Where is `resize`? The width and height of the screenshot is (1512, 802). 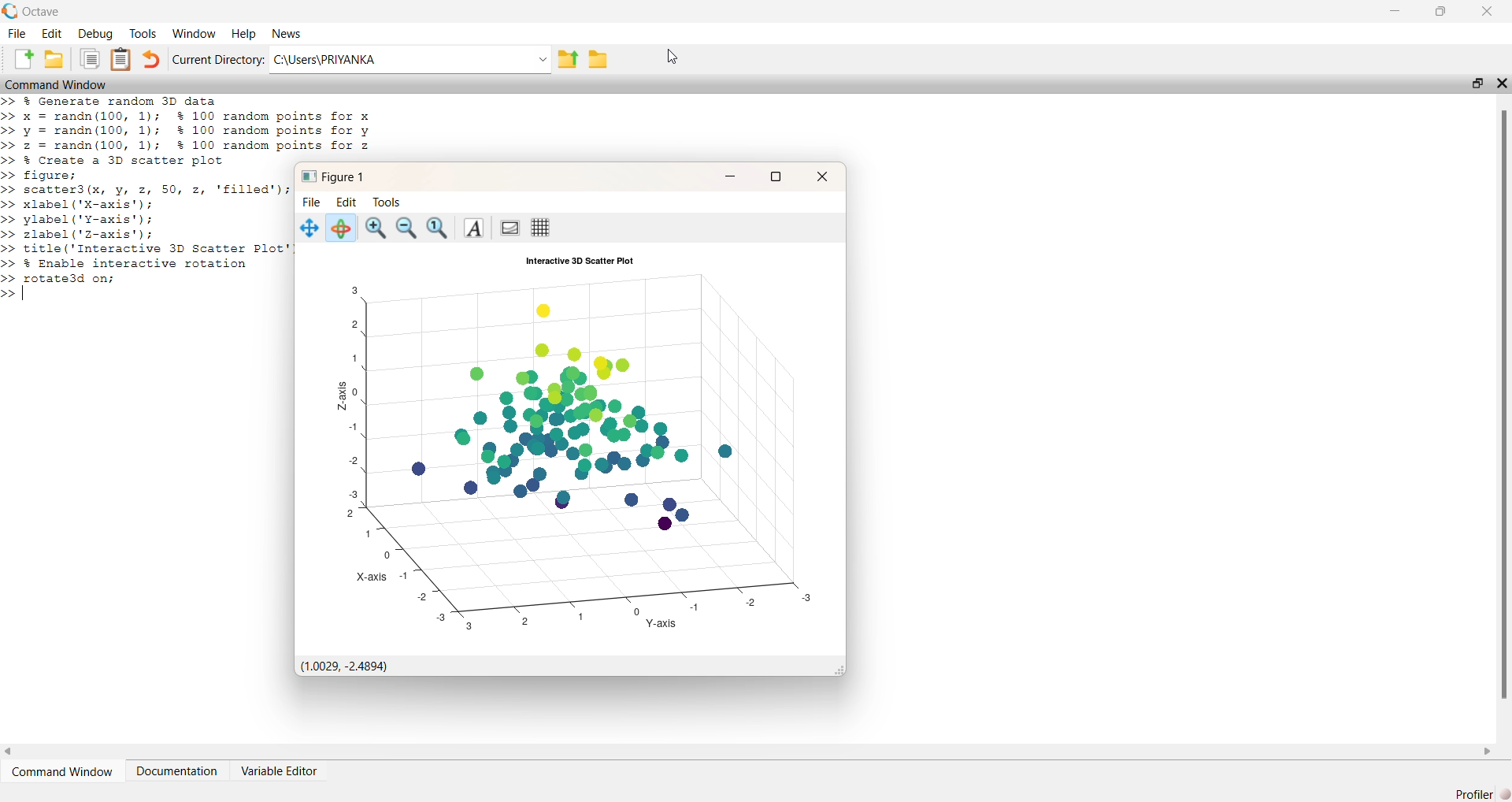
resize is located at coordinates (1440, 11).